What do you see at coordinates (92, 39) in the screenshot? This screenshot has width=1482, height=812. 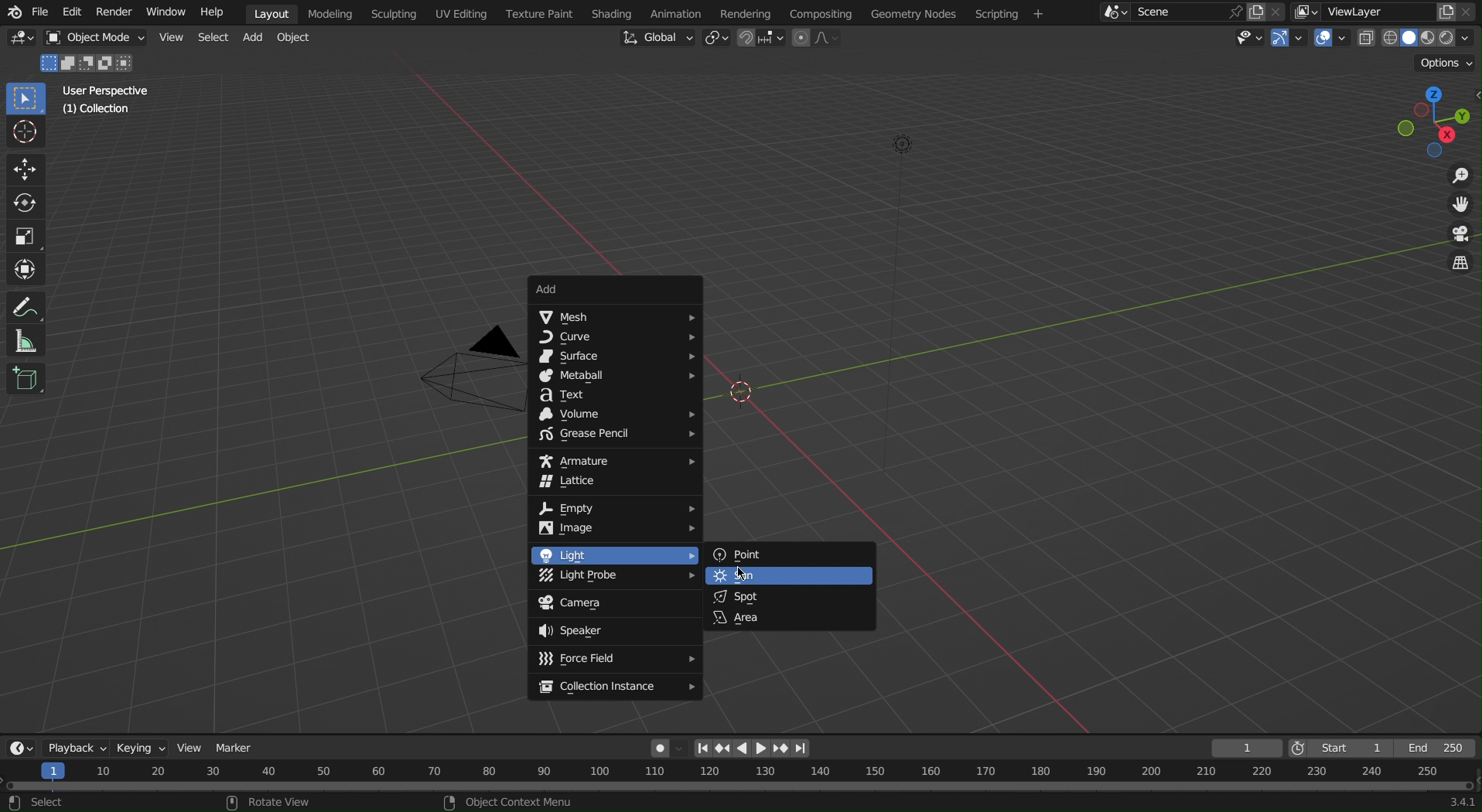 I see `Object Mode` at bounding box center [92, 39].